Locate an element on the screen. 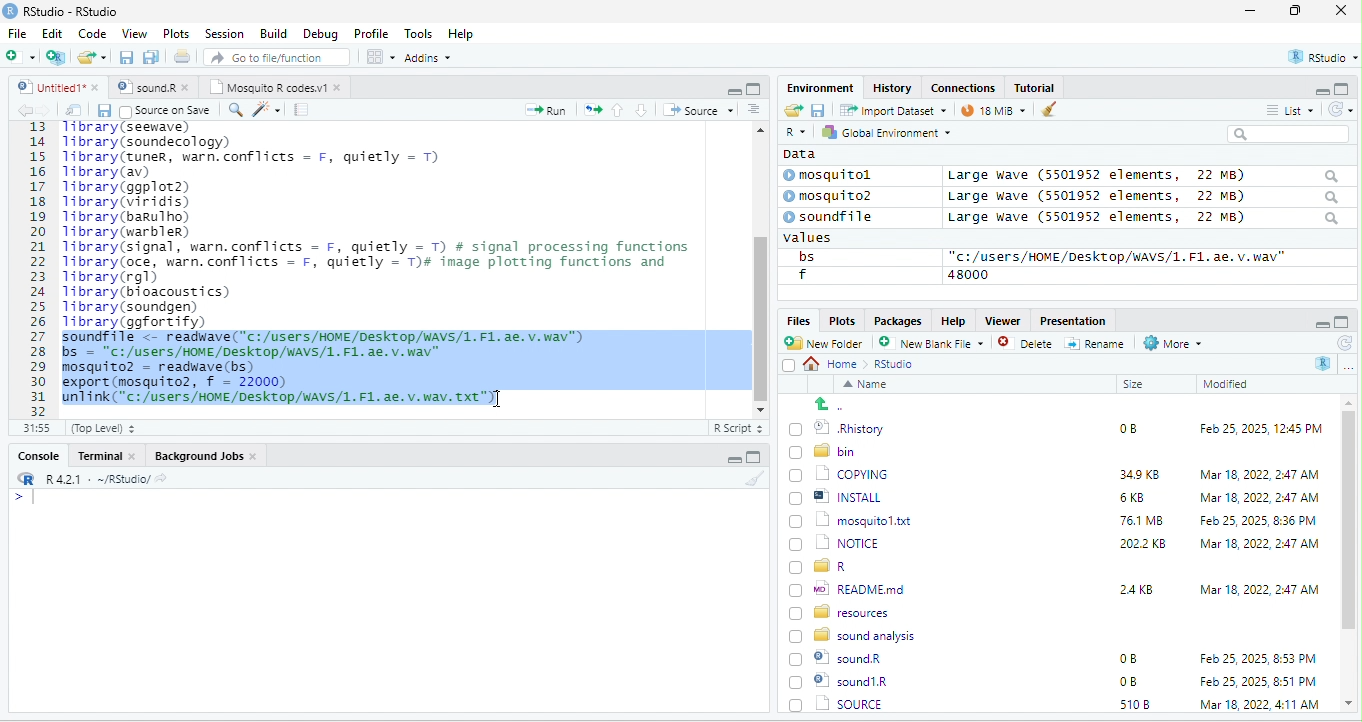  save is located at coordinates (128, 58).